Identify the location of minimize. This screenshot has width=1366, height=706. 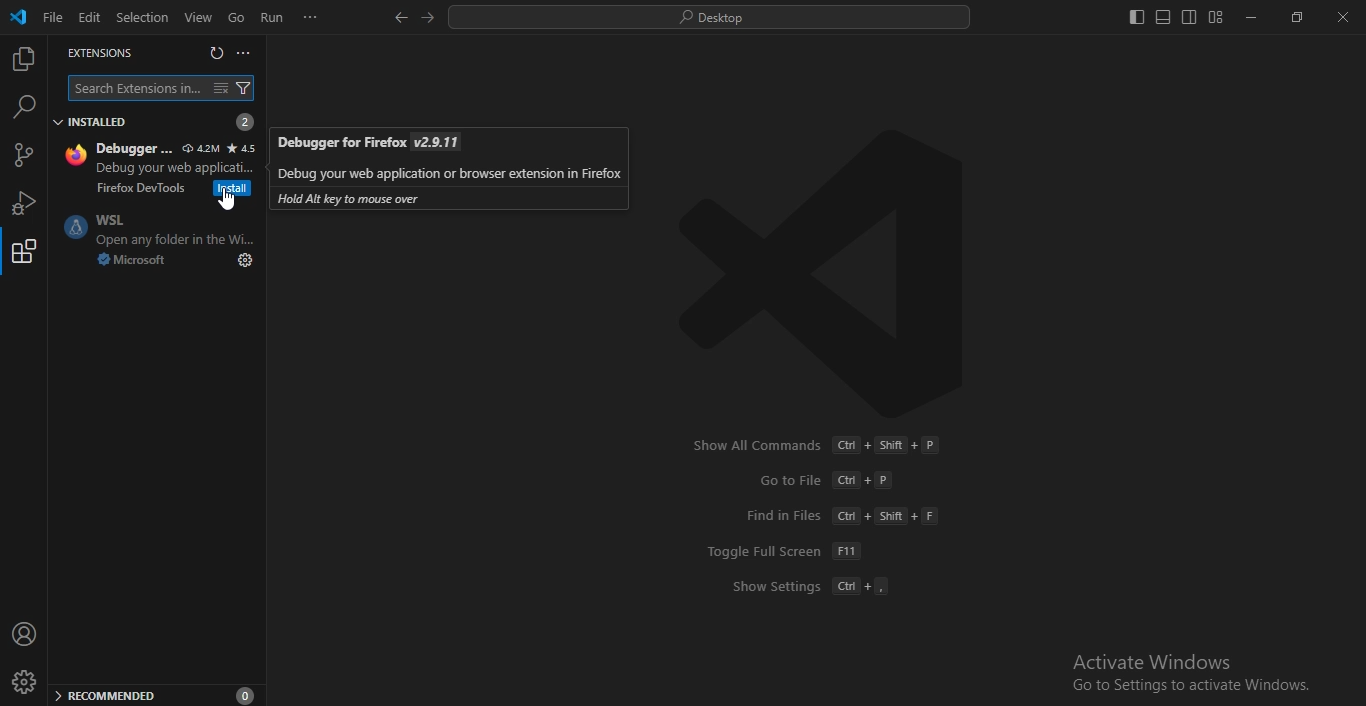
(1251, 19).